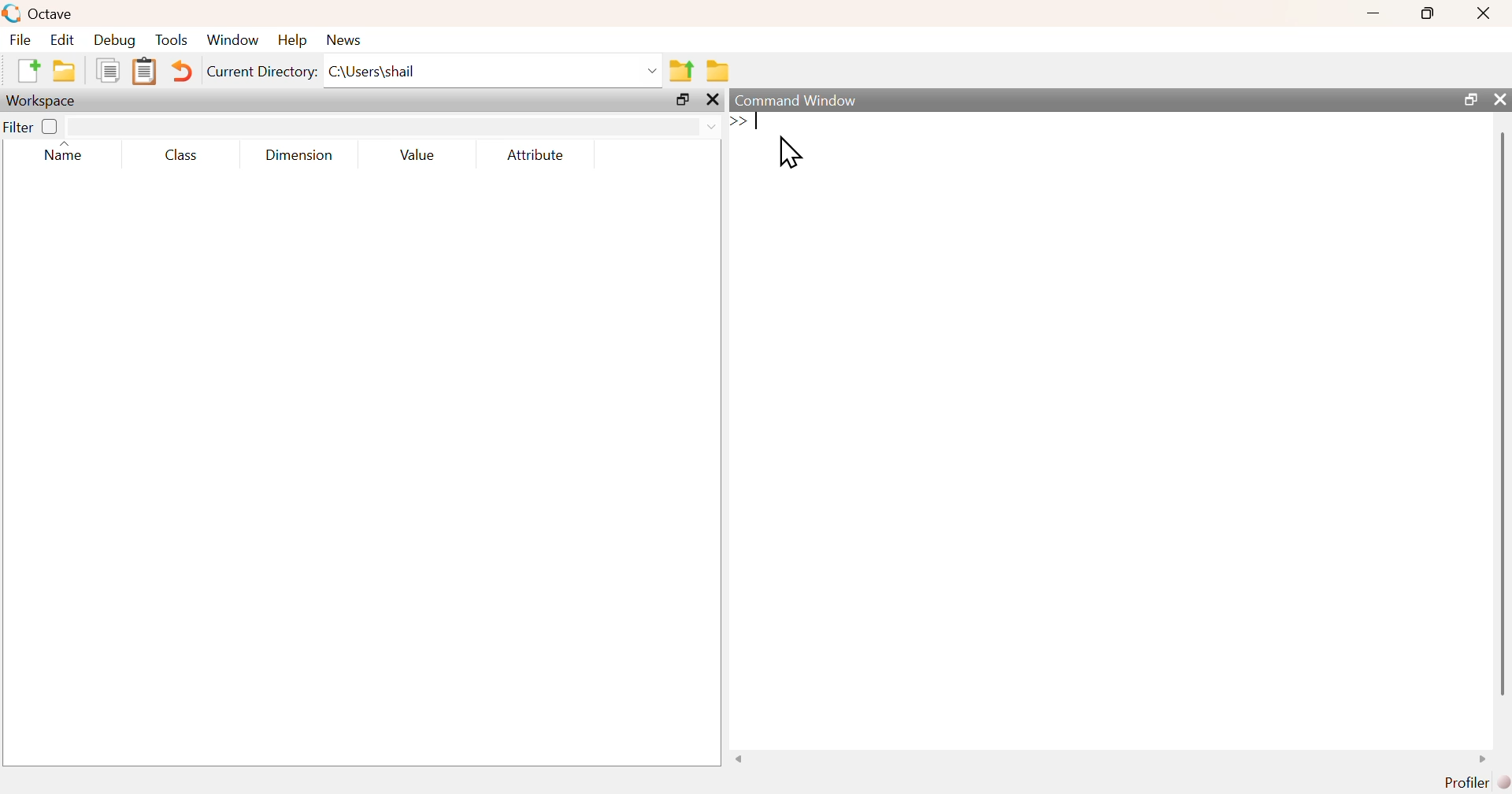  I want to click on Logo, so click(13, 14).